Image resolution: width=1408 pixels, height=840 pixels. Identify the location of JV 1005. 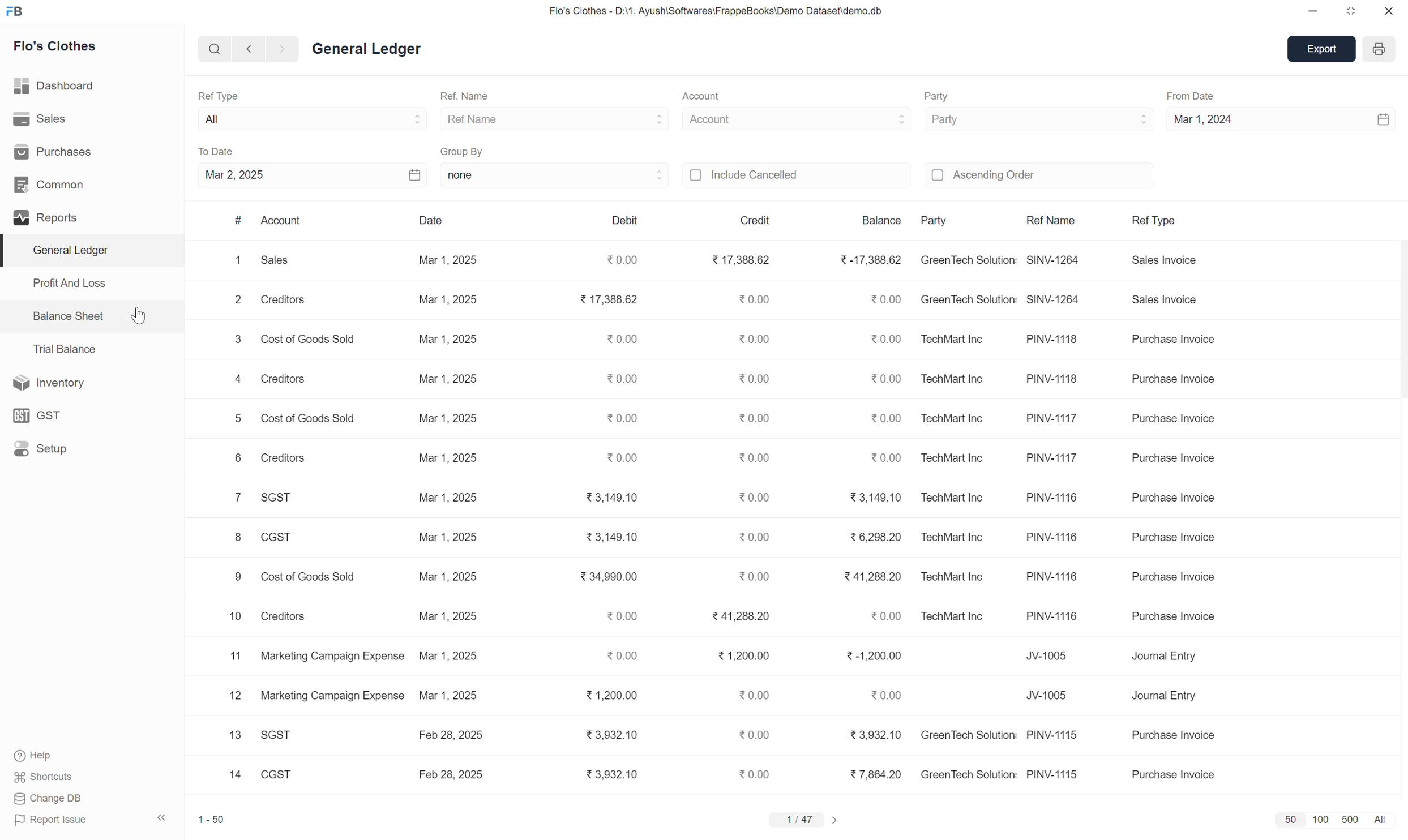
(1042, 696).